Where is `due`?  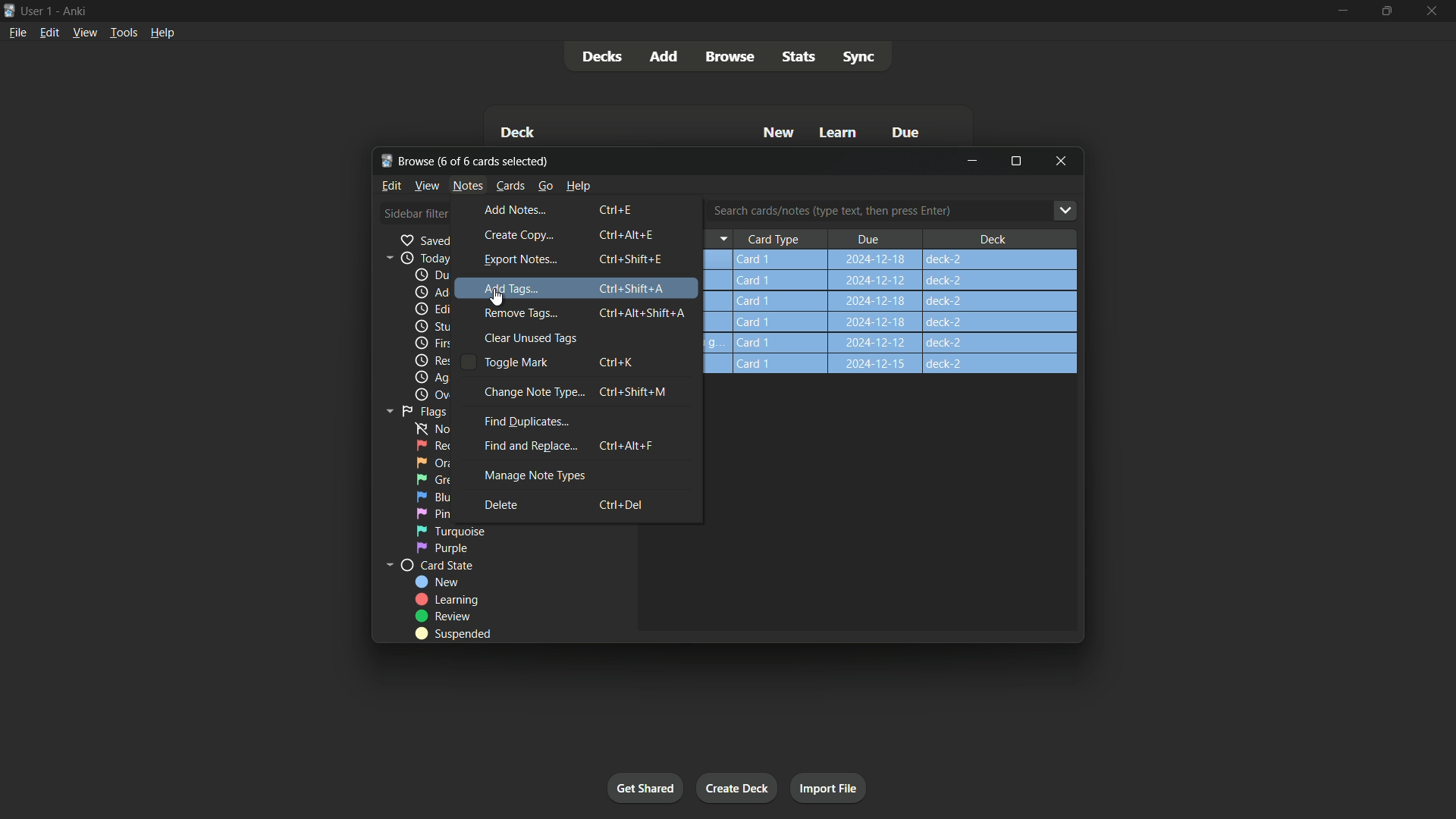 due is located at coordinates (431, 276).